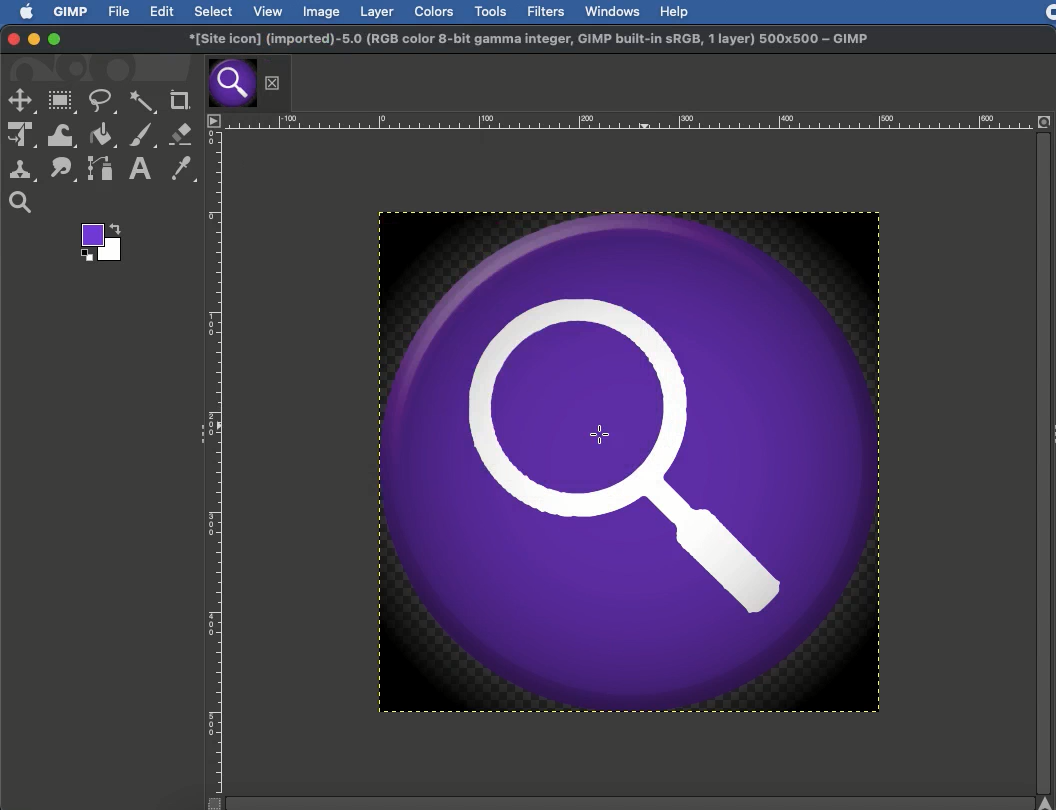  Describe the element at coordinates (20, 11) in the screenshot. I see `Logo` at that location.